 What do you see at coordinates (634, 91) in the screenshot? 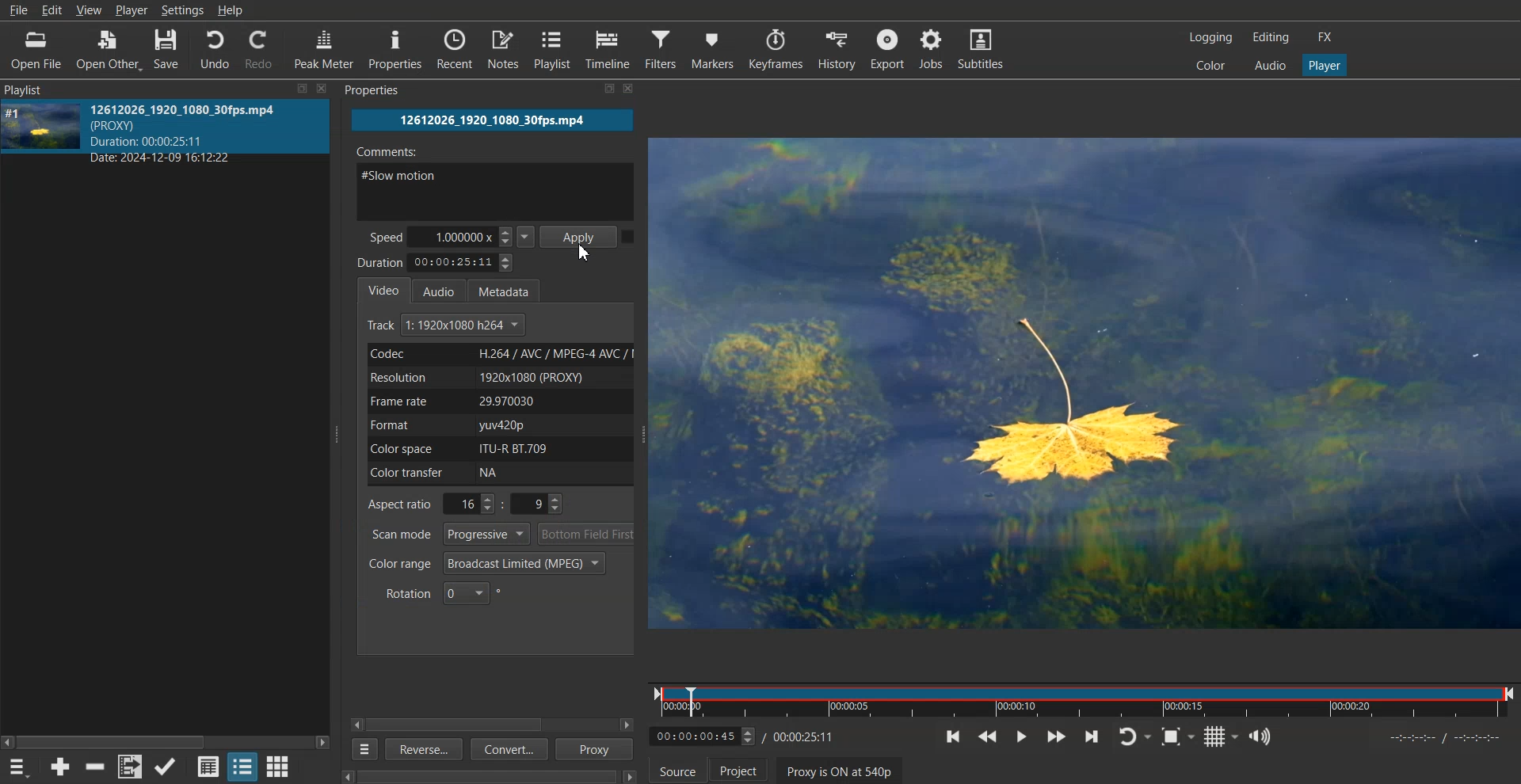
I see `close` at bounding box center [634, 91].